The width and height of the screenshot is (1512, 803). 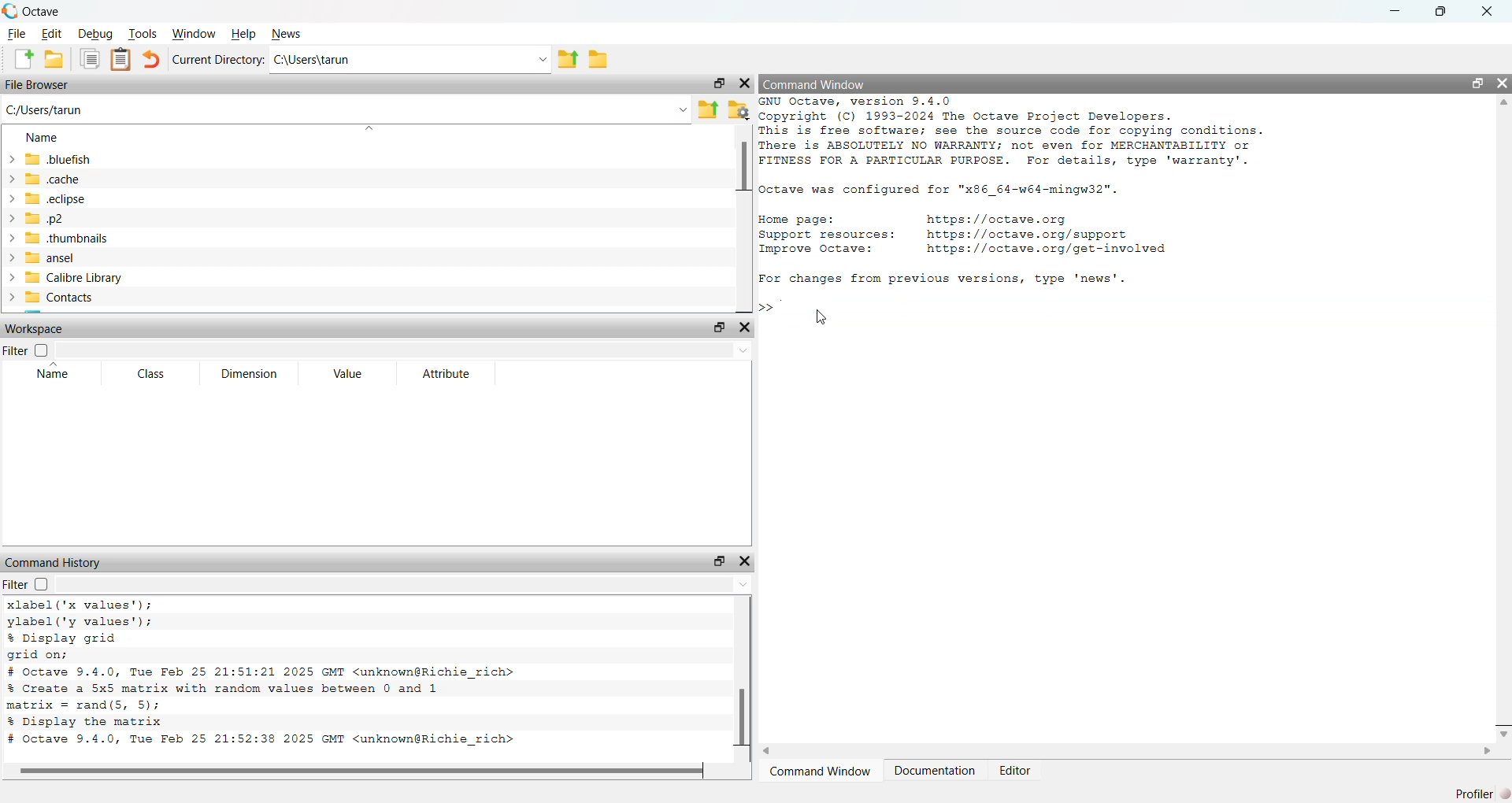 I want to click on thumbnails, so click(x=70, y=239).